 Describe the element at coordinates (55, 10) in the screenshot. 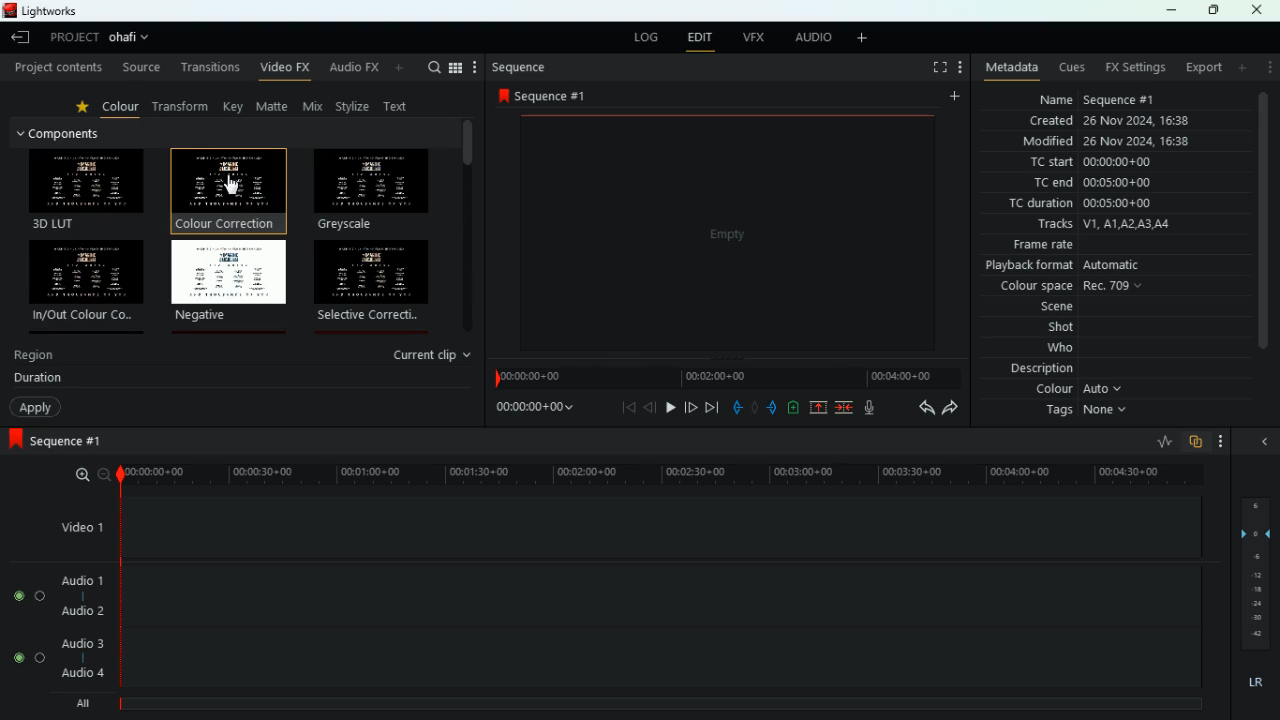

I see `loghtworks` at that location.